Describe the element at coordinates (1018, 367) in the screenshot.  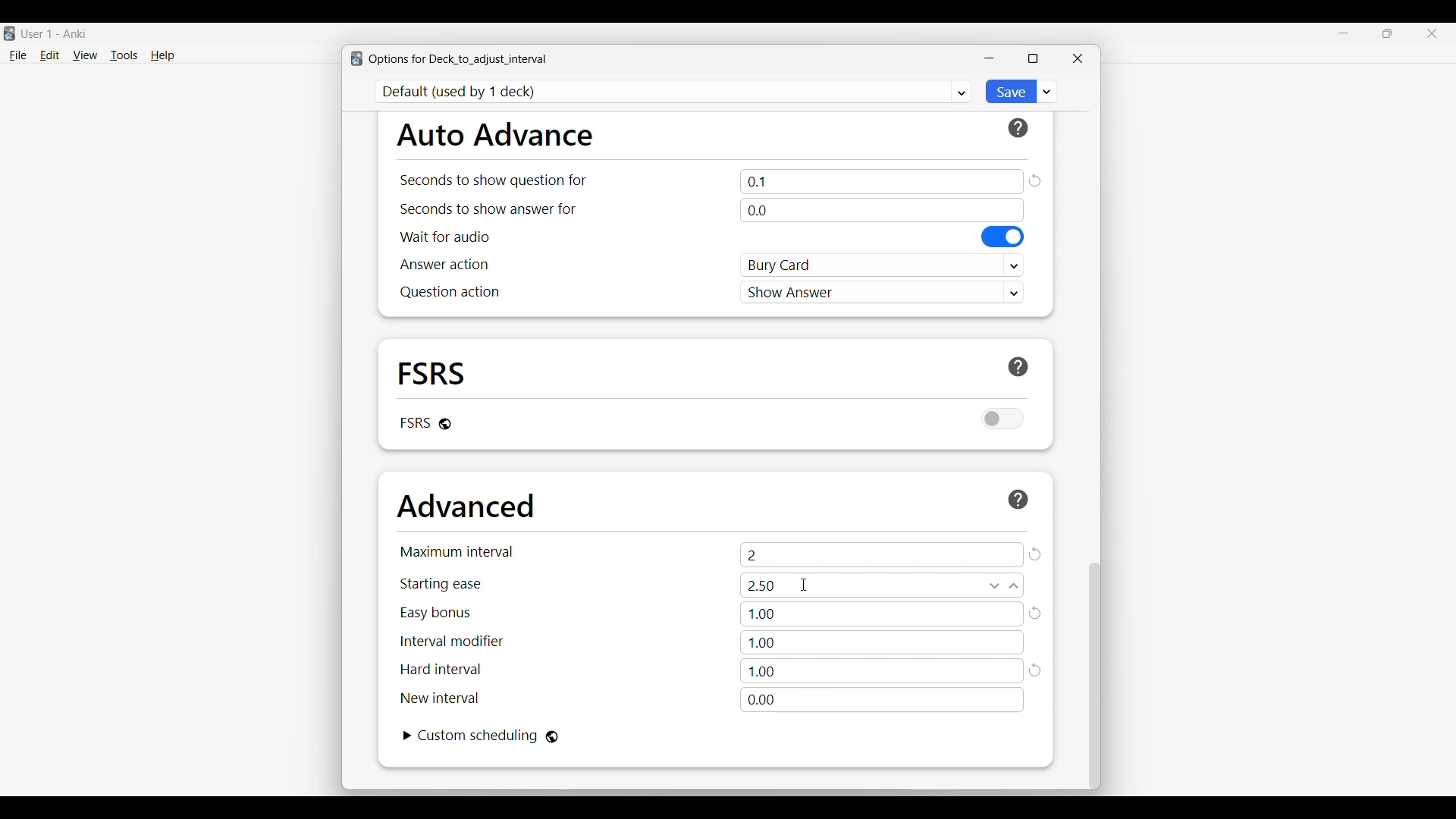
I see `Learn more about FSRS` at that location.